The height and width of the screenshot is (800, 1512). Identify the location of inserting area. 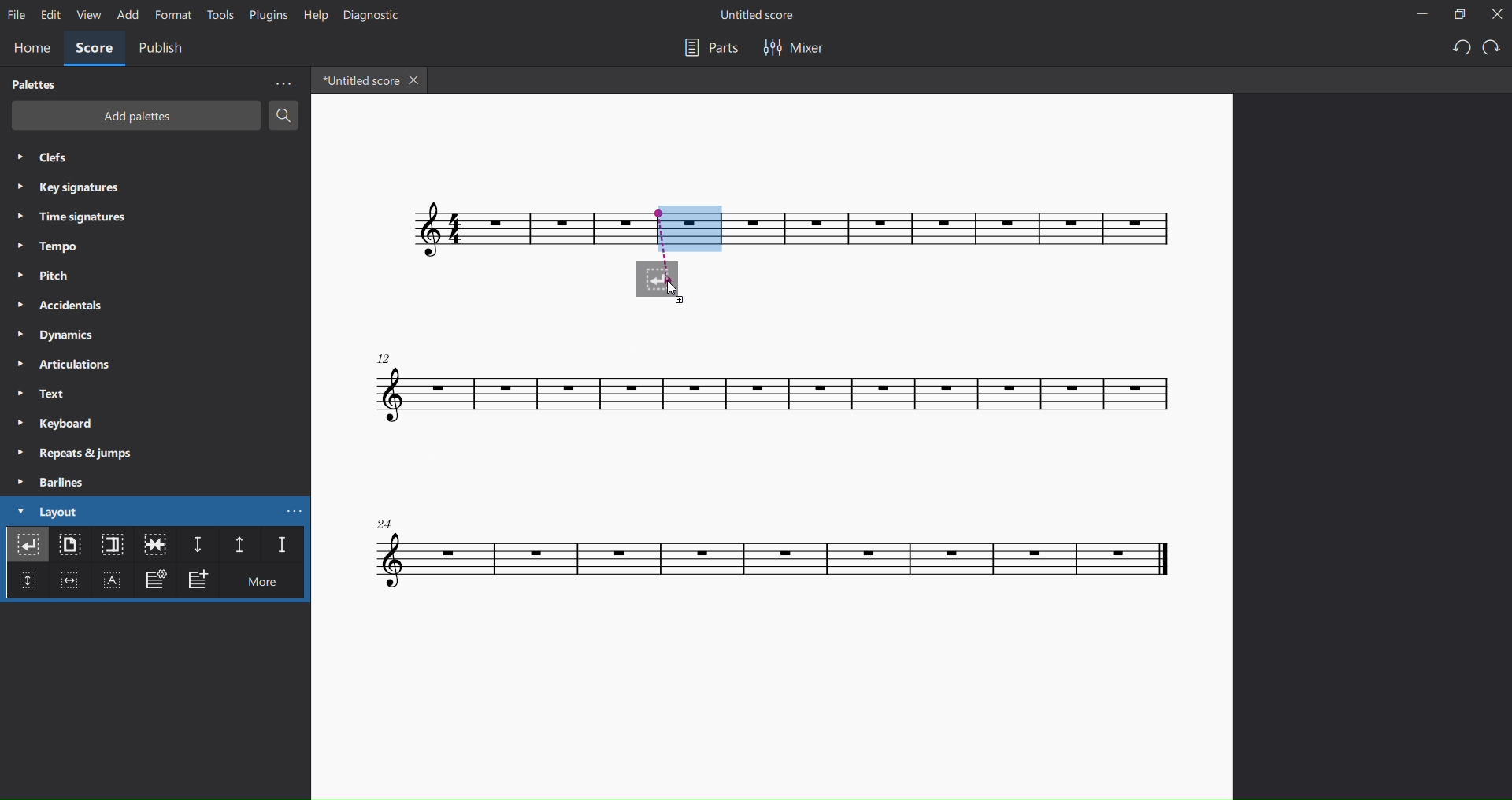
(674, 246).